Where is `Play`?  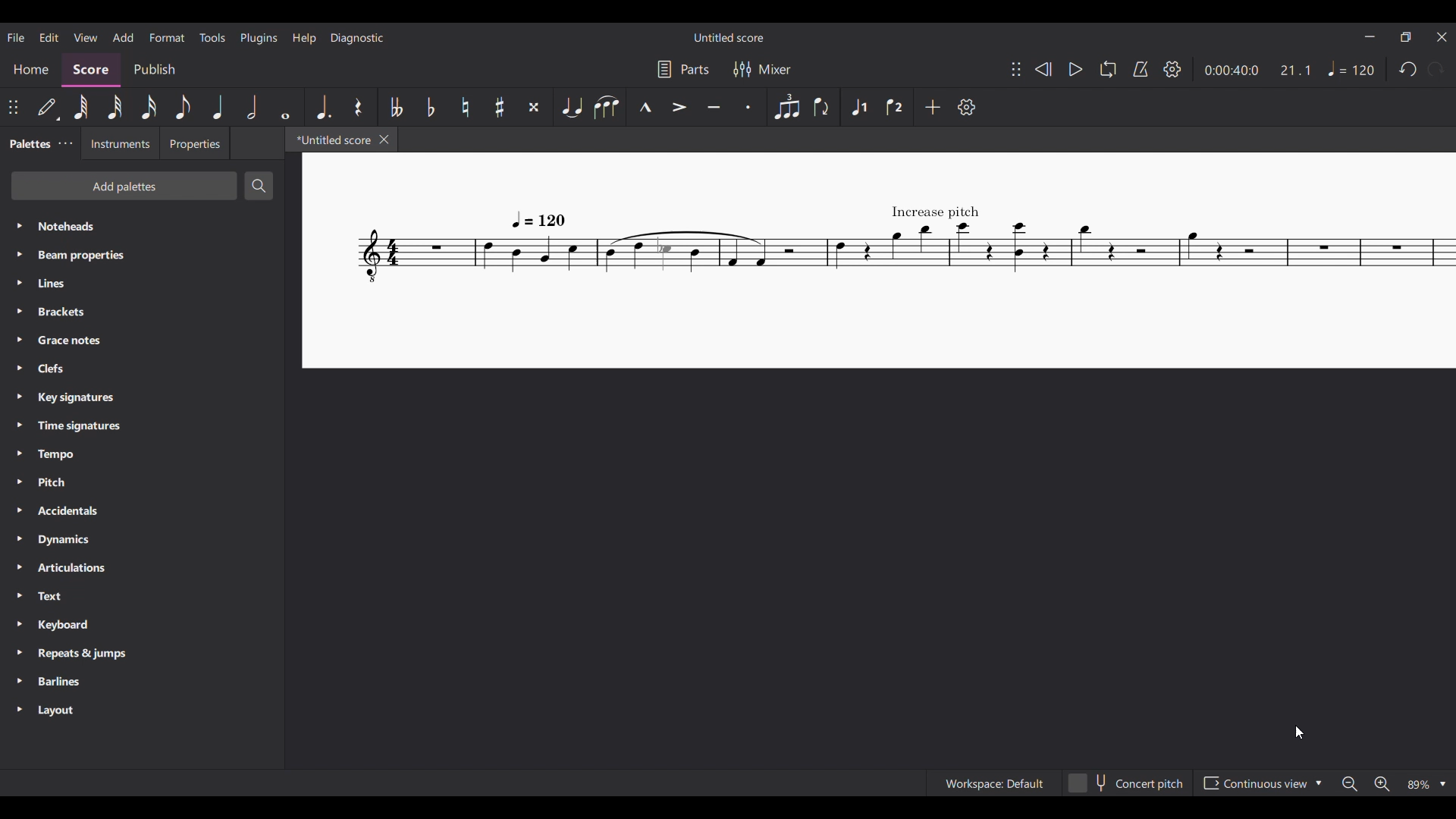
Play is located at coordinates (1076, 70).